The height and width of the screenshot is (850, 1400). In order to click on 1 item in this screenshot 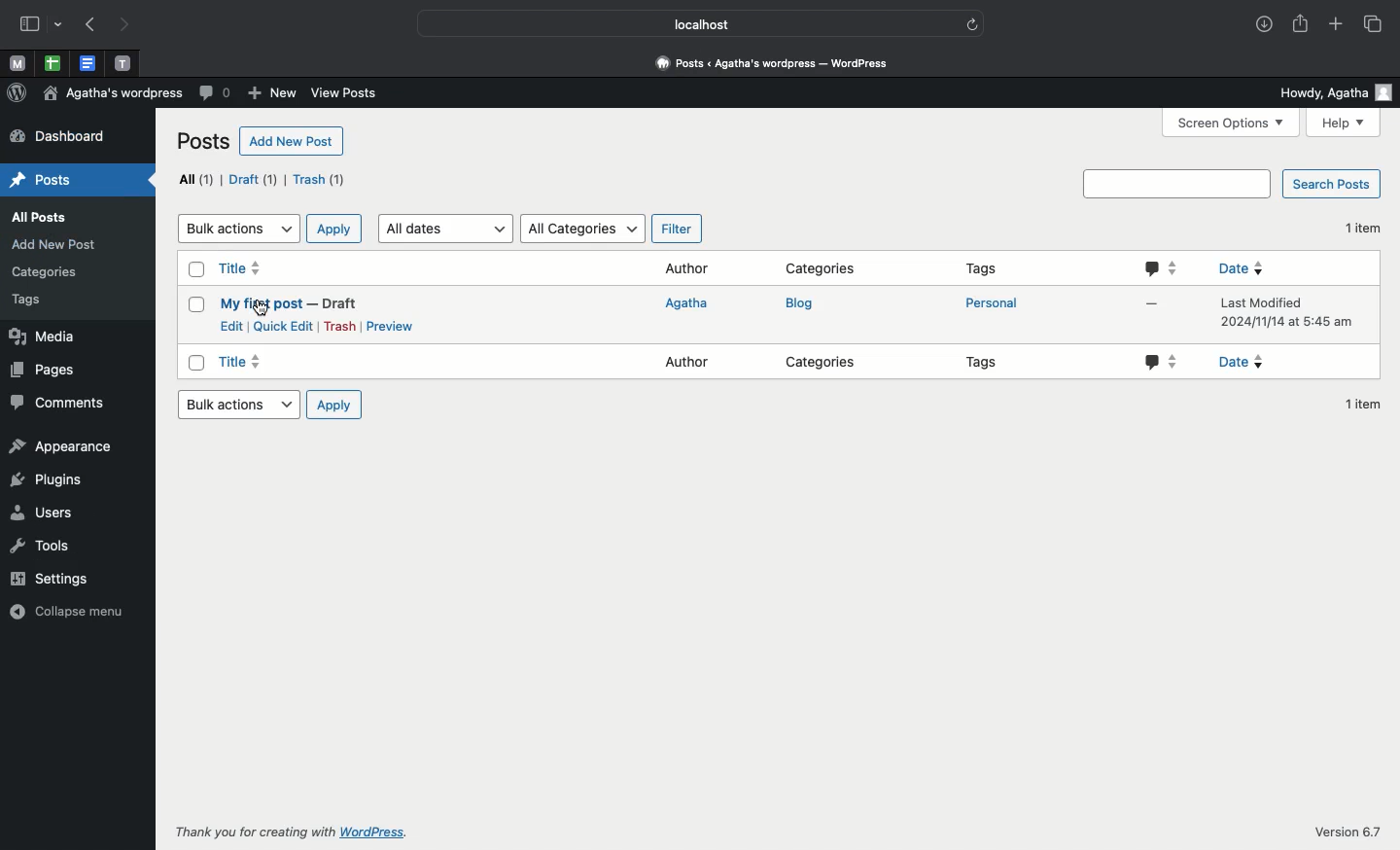, I will do `click(1364, 226)`.